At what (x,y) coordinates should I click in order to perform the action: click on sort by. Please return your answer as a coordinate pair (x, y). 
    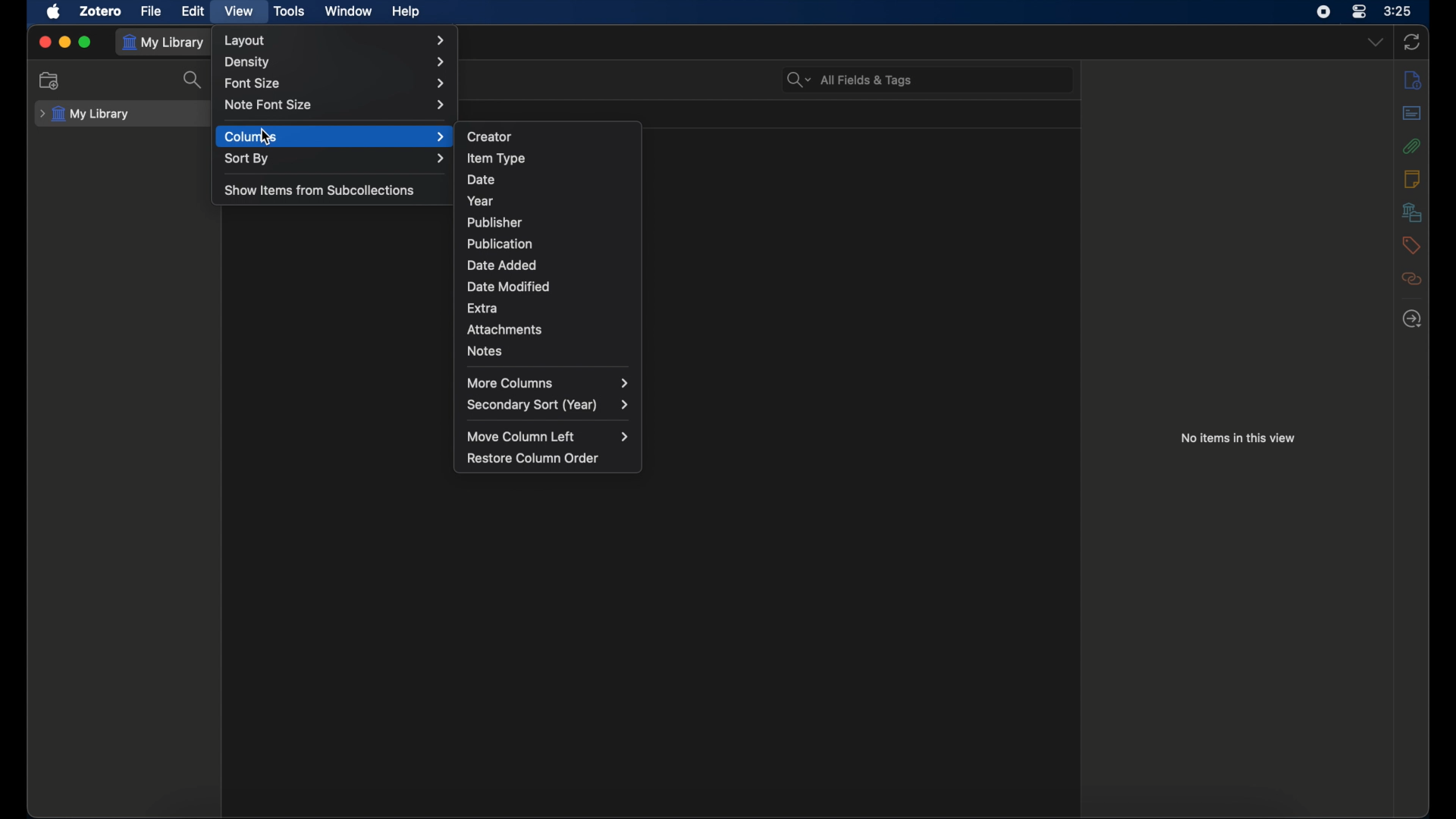
    Looking at the image, I should click on (337, 159).